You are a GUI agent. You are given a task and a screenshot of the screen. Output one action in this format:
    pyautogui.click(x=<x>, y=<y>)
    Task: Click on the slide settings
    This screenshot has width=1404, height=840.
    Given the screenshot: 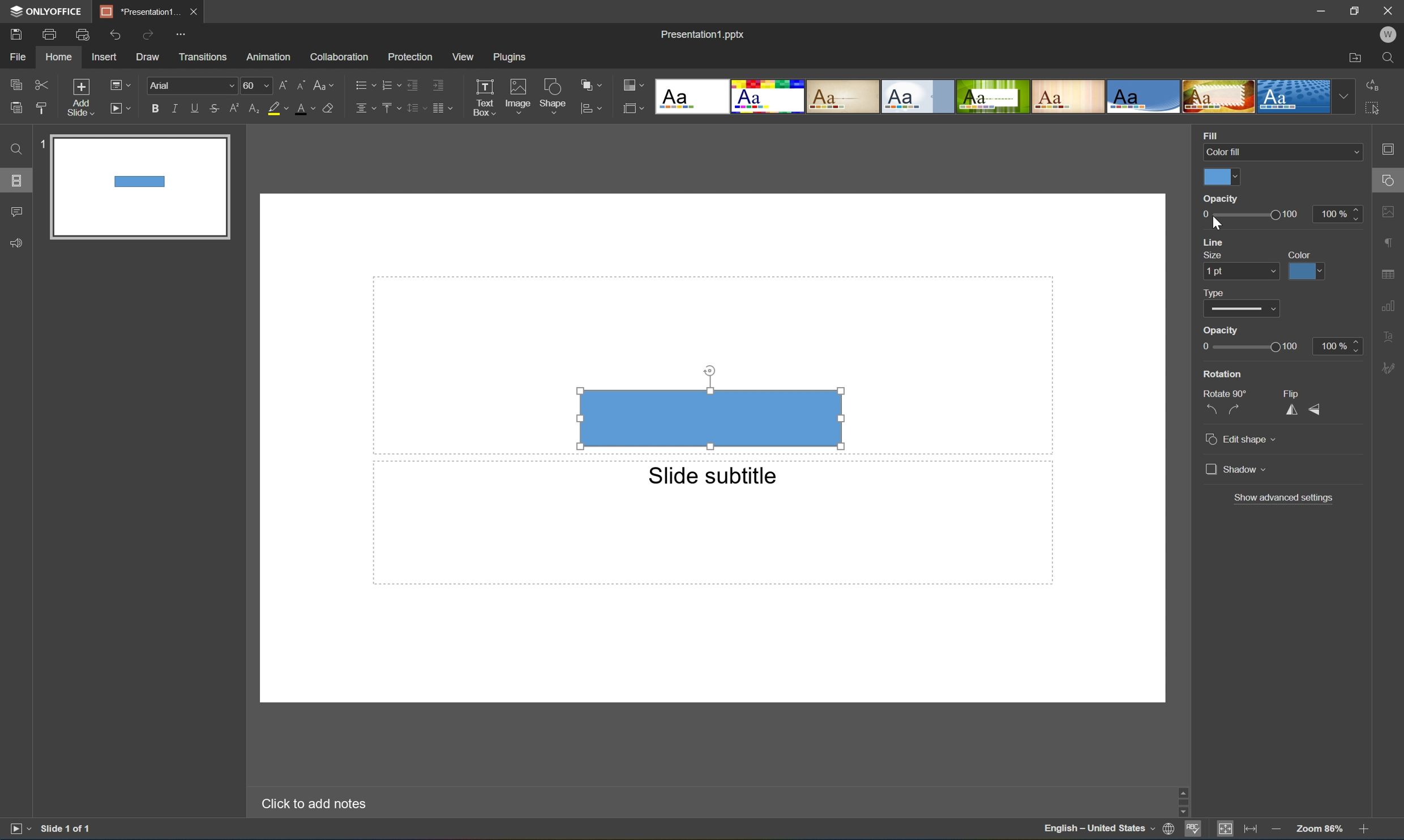 What is the action you would take?
    pyautogui.click(x=1391, y=149)
    